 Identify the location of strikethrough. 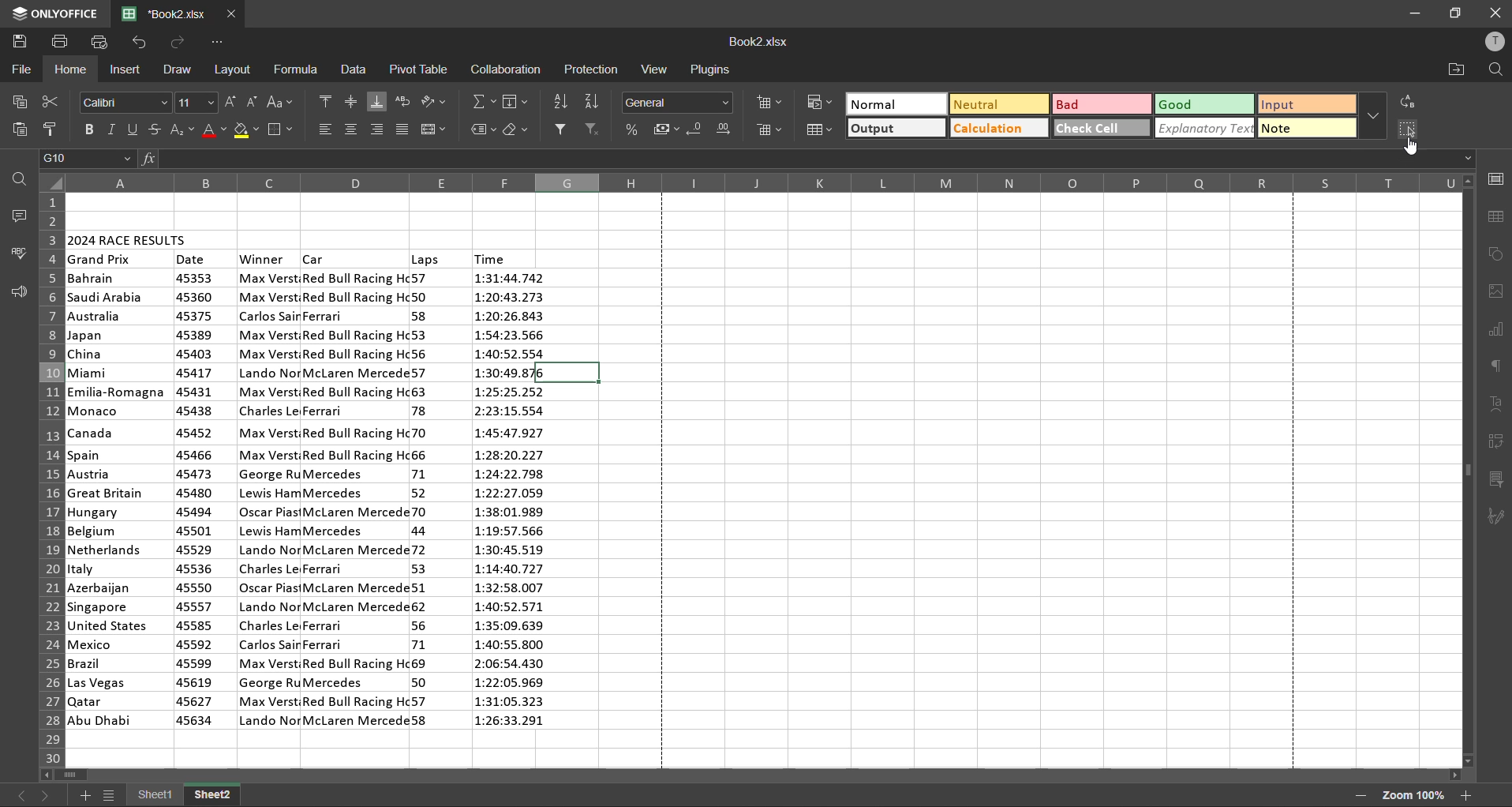
(158, 133).